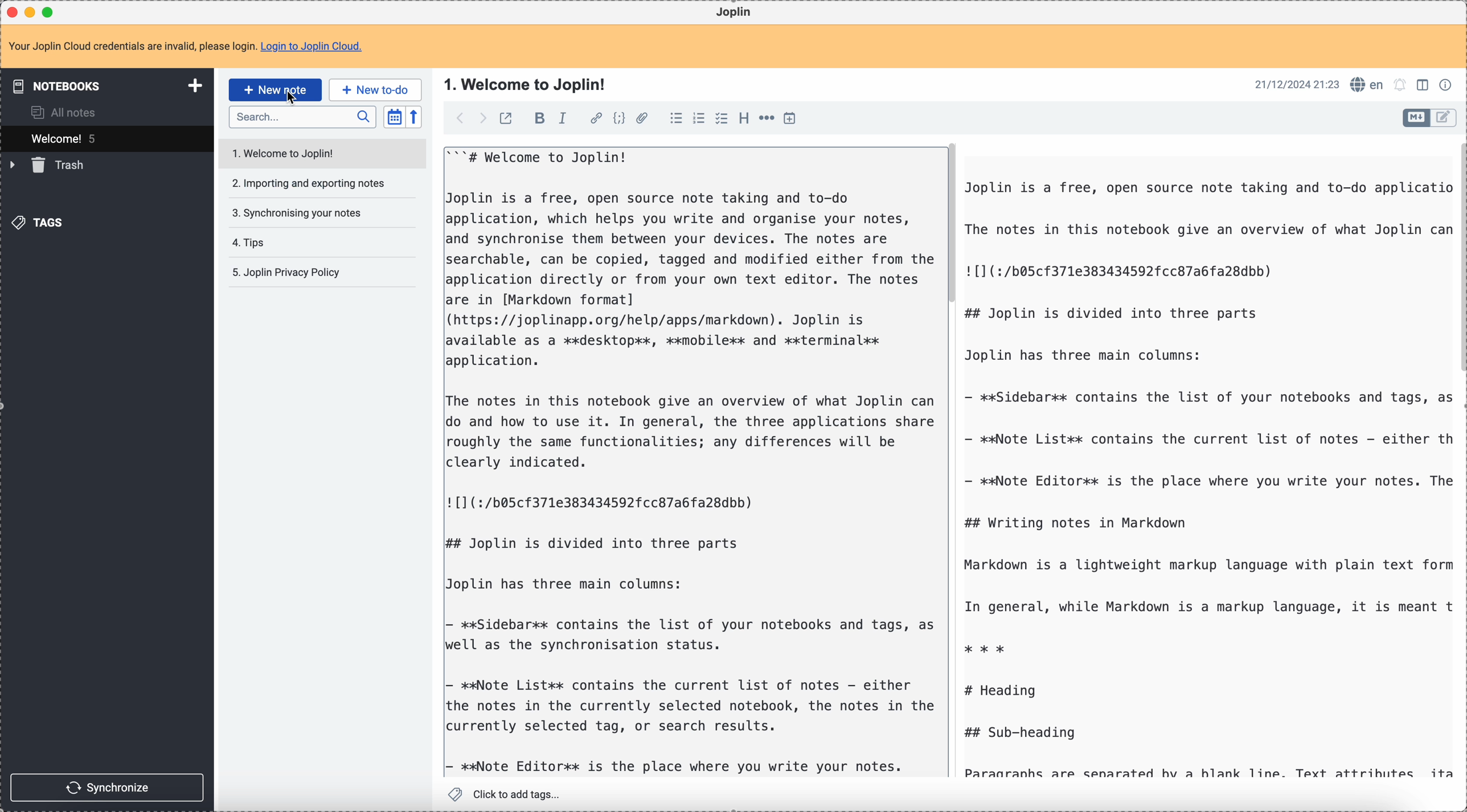 This screenshot has width=1467, height=812. I want to click on close, so click(14, 13).